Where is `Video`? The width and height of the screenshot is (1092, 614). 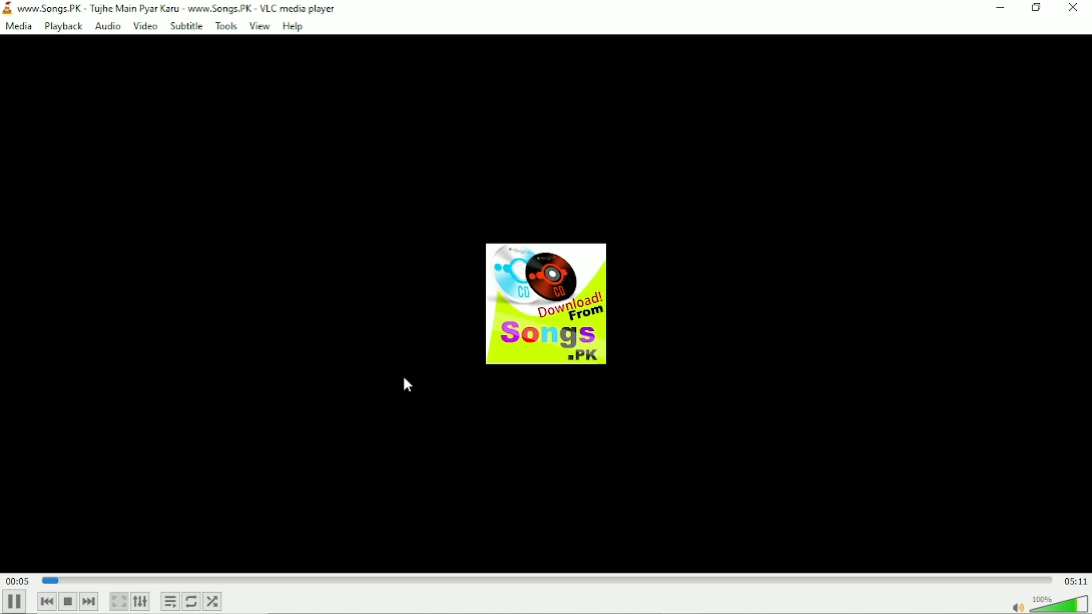 Video is located at coordinates (143, 27).